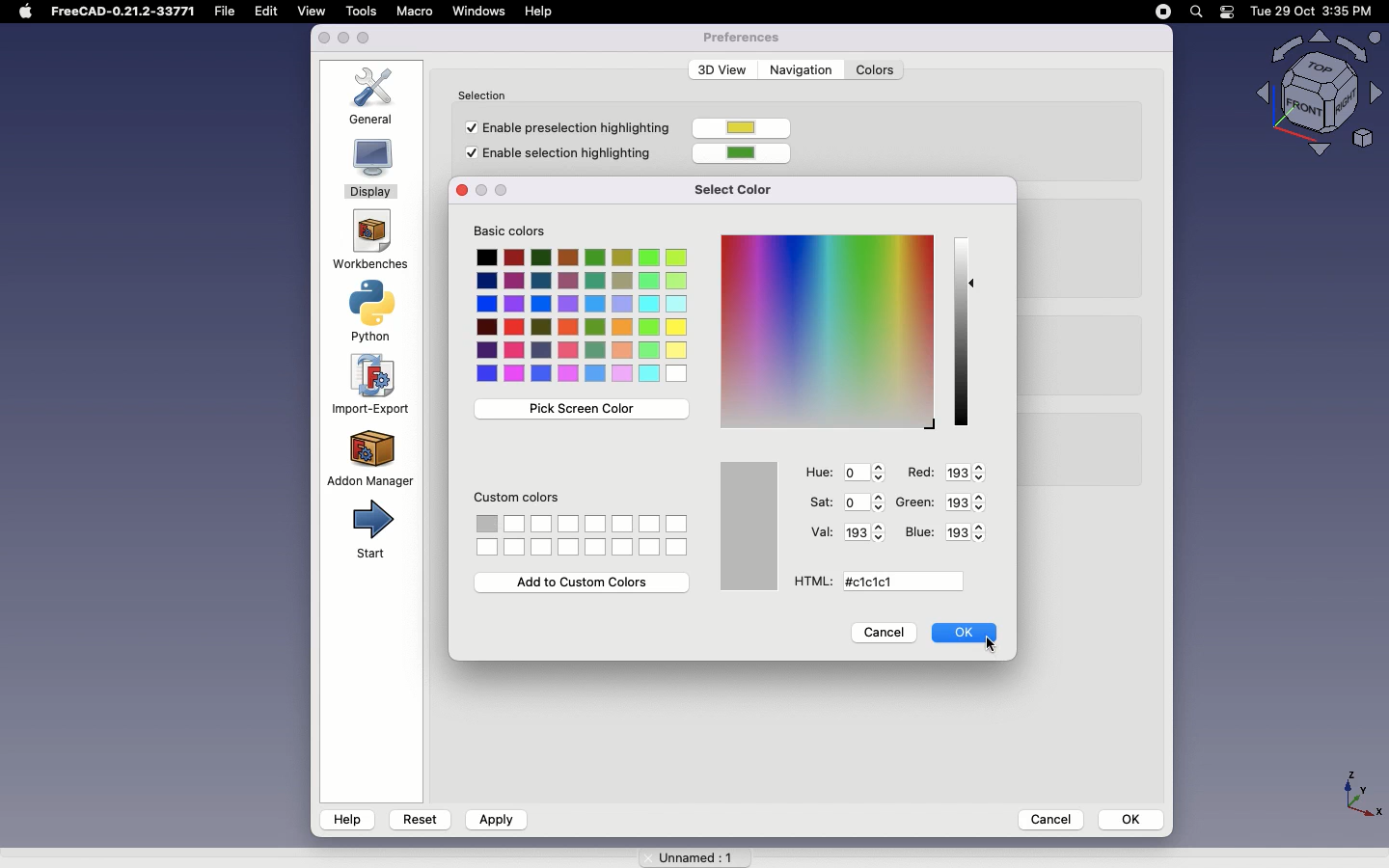 The width and height of the screenshot is (1389, 868). What do you see at coordinates (479, 12) in the screenshot?
I see `windows` at bounding box center [479, 12].